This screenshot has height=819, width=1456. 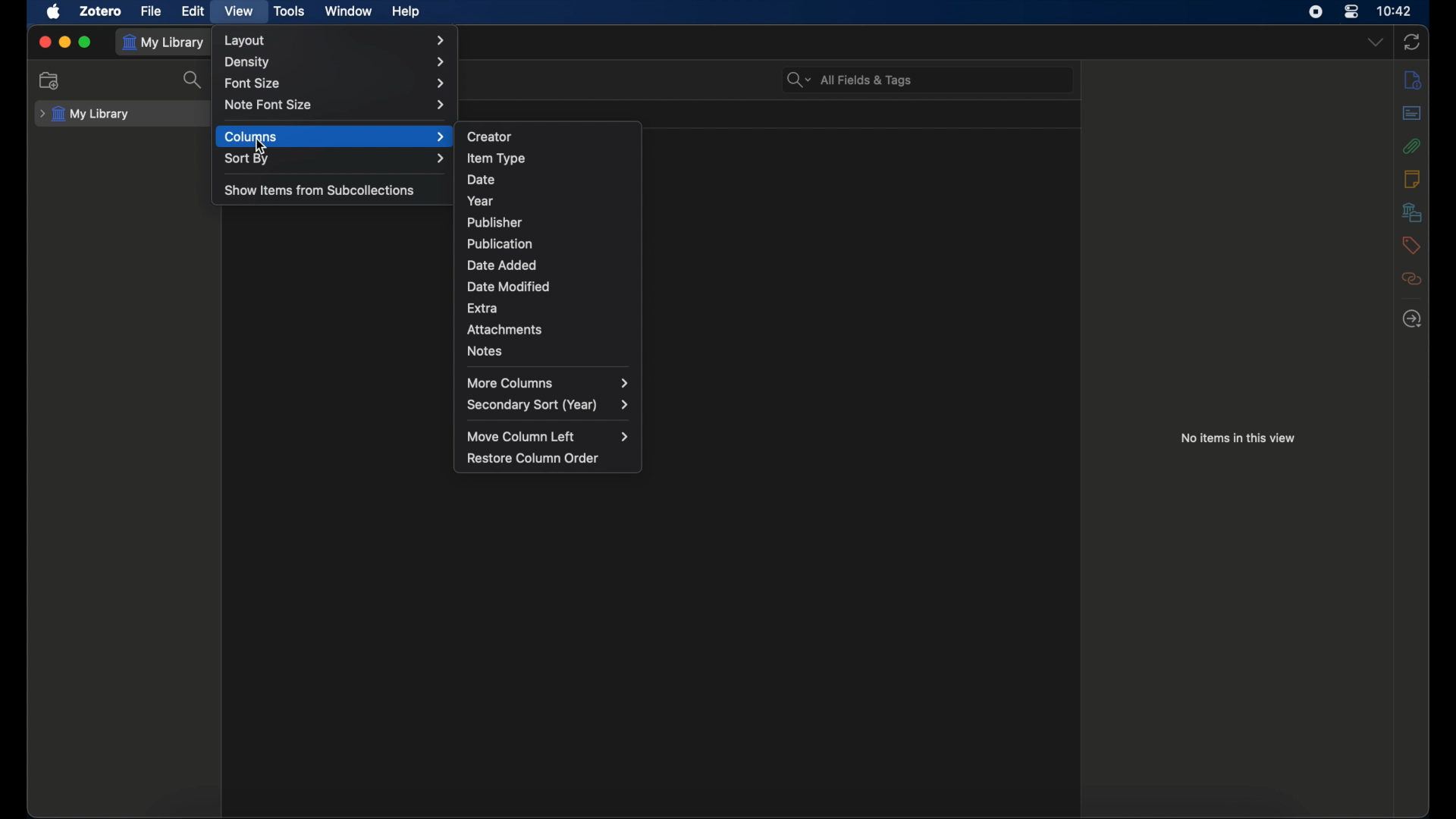 I want to click on all fields & tags, so click(x=847, y=79).